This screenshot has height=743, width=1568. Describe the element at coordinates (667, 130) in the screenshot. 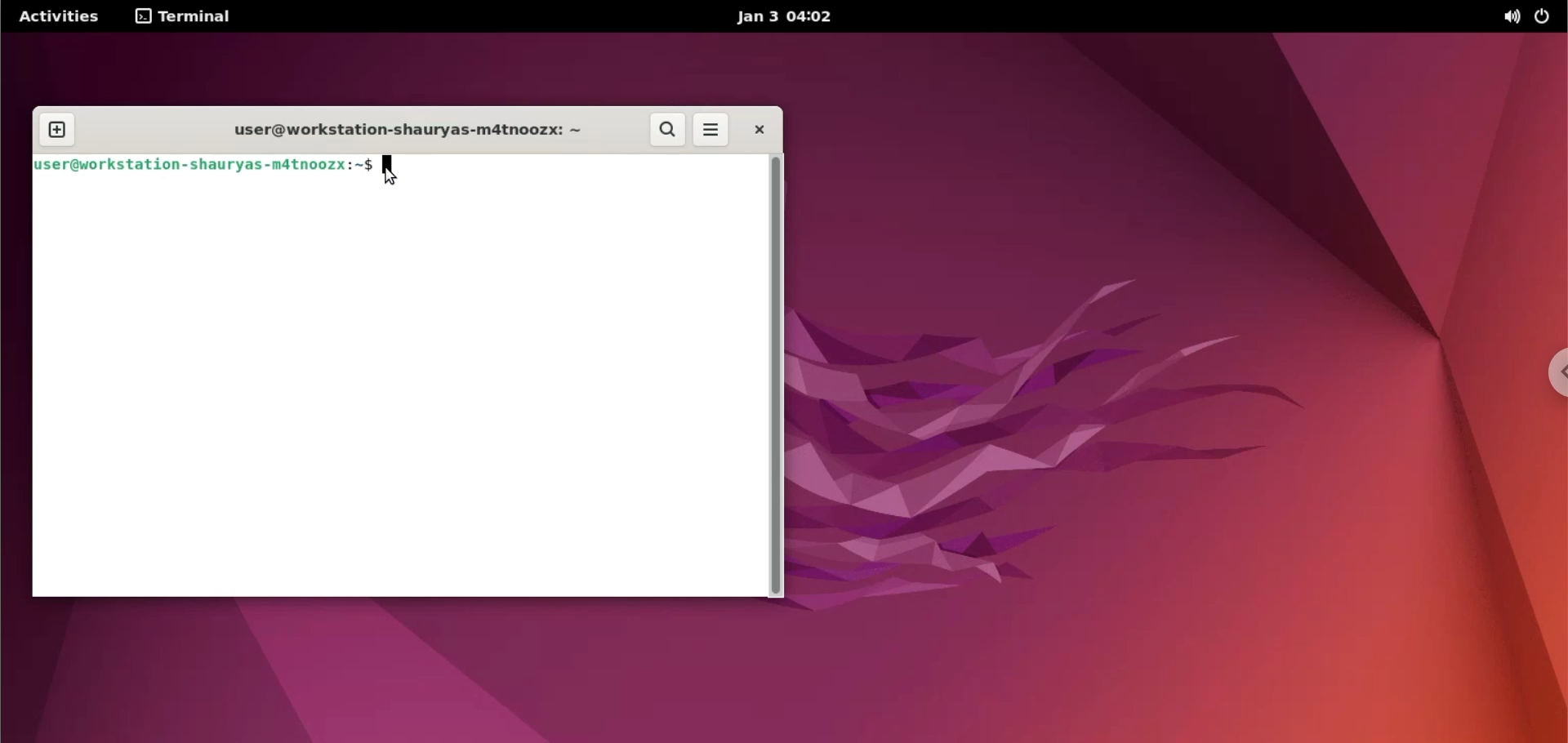

I see `search` at that location.